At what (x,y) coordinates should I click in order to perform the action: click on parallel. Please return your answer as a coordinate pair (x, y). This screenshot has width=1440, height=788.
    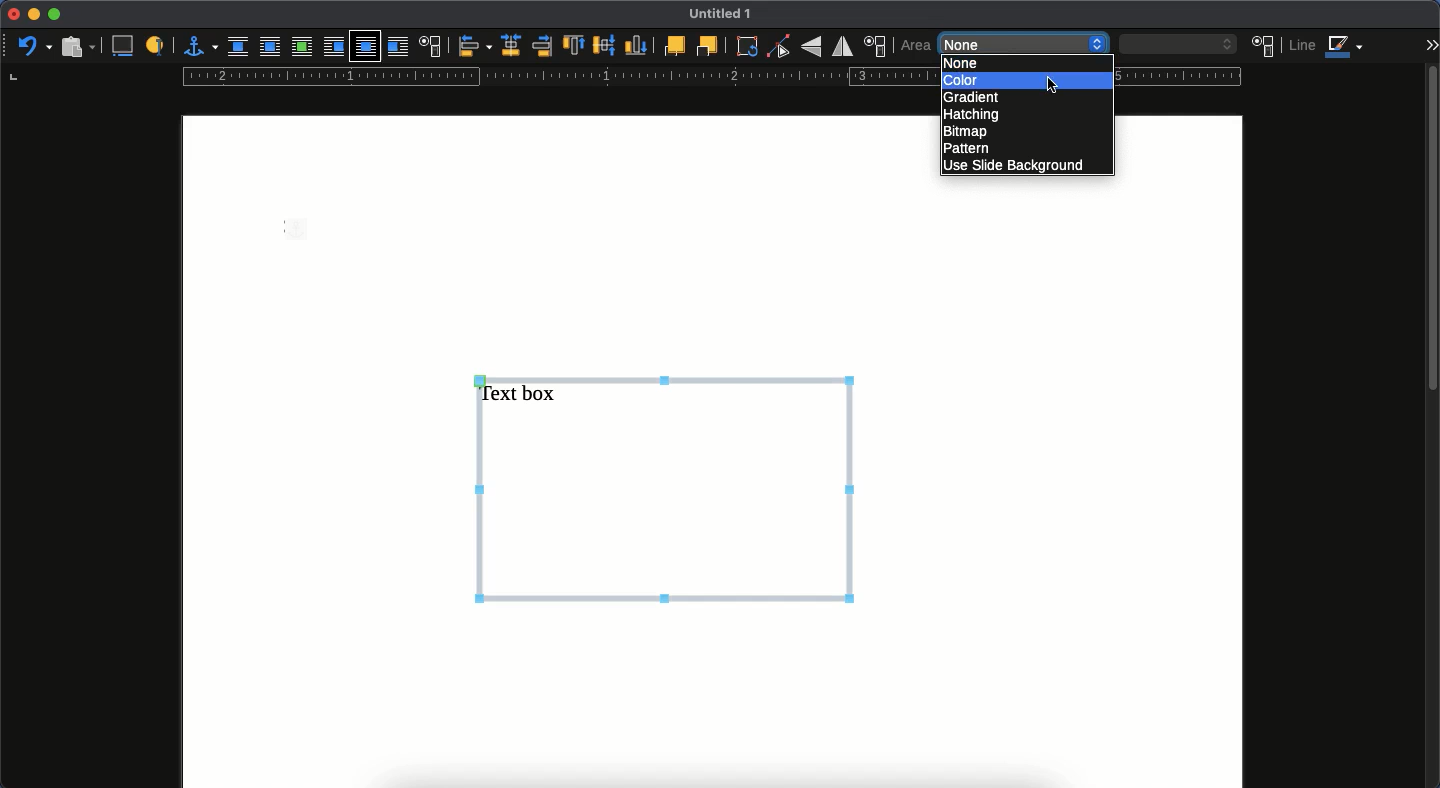
    Looking at the image, I should click on (269, 49).